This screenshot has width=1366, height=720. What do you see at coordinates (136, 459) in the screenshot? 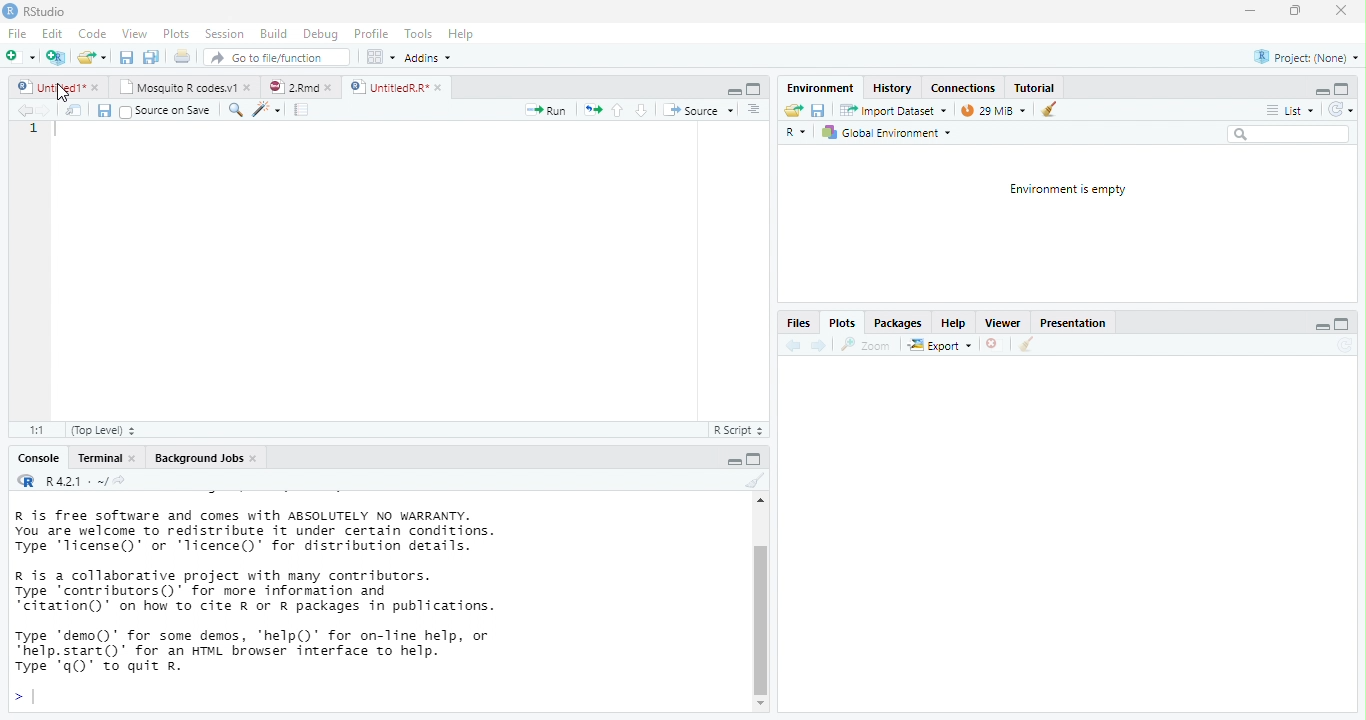
I see `close` at bounding box center [136, 459].